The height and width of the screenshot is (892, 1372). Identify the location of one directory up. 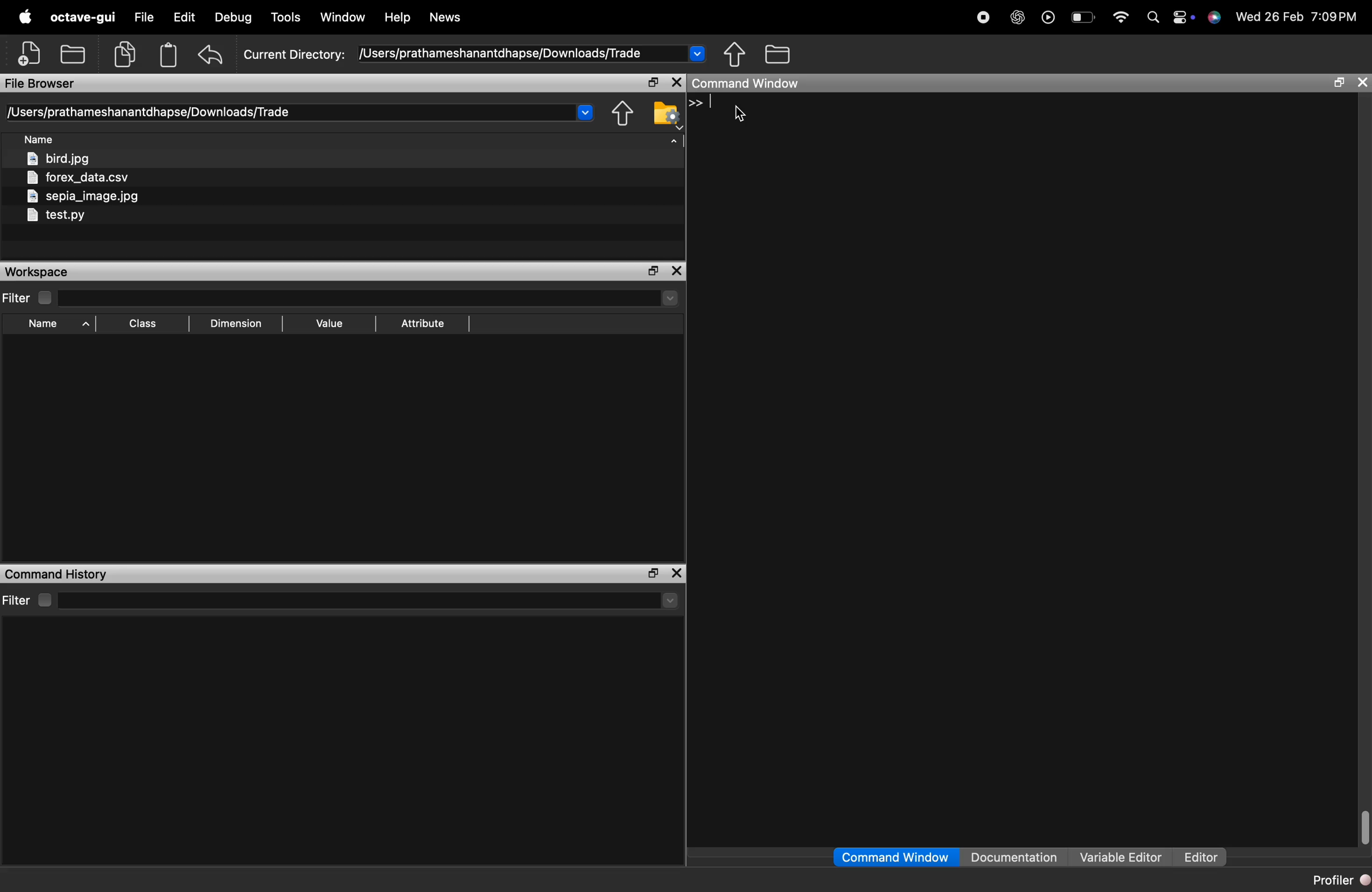
(736, 54).